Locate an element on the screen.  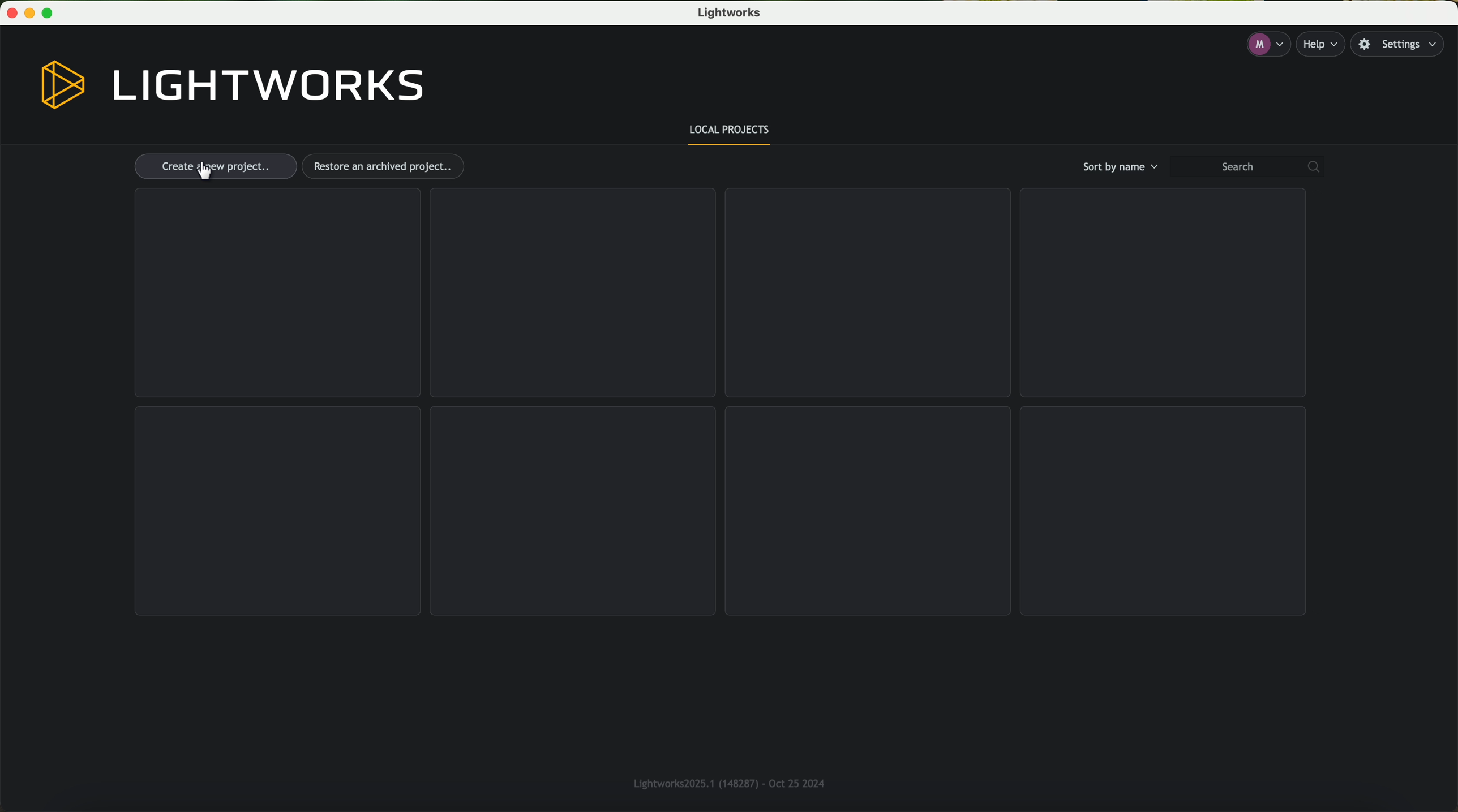
profile is located at coordinates (1267, 45).